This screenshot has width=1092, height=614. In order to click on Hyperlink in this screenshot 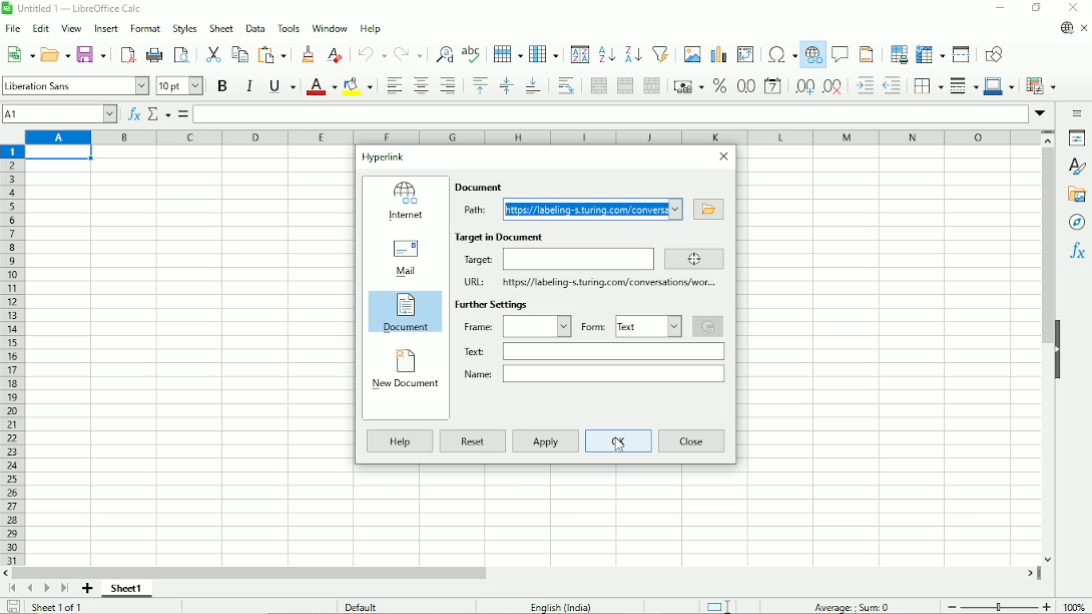, I will do `click(385, 158)`.